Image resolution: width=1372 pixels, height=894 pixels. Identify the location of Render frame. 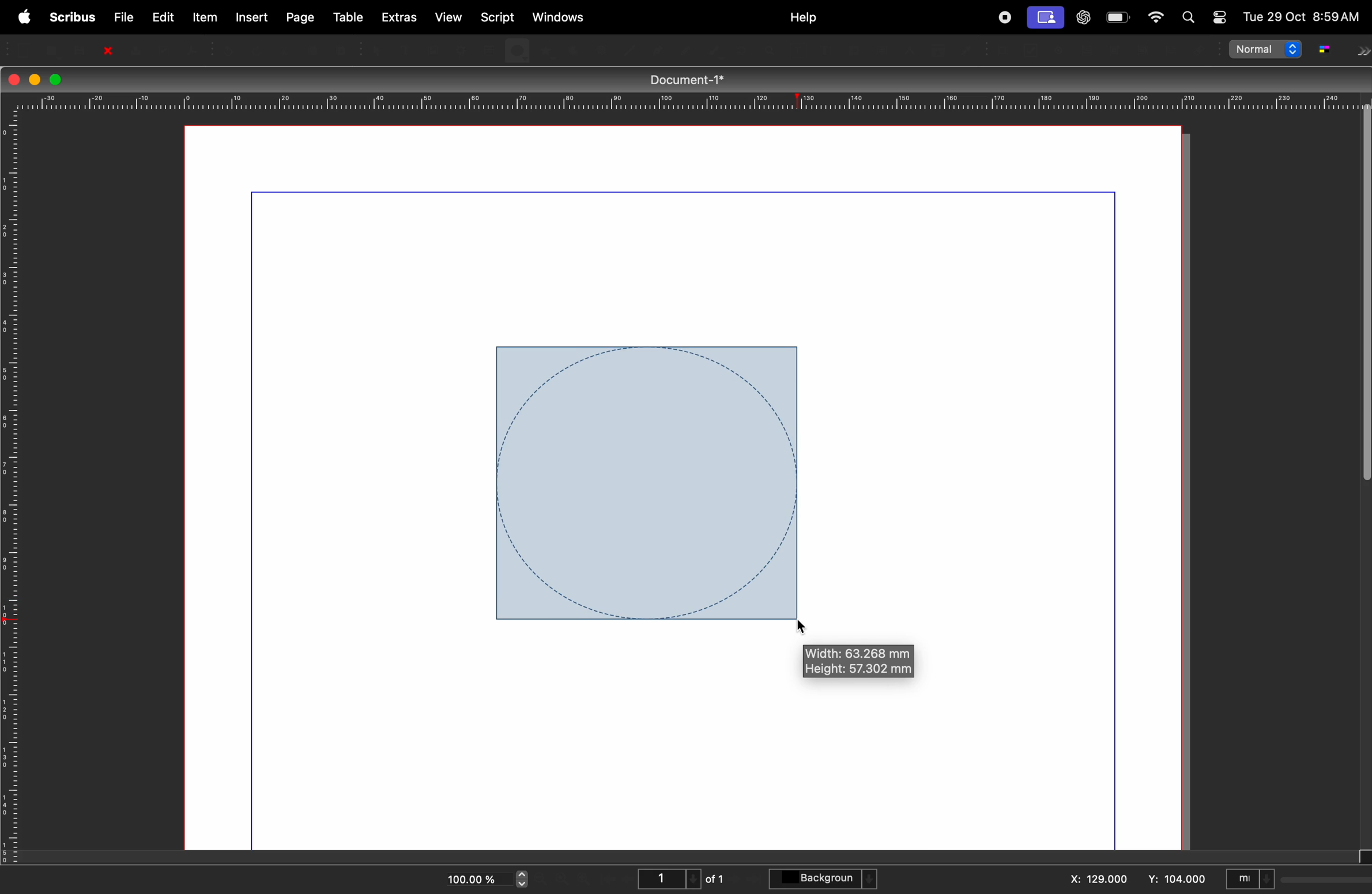
(459, 49).